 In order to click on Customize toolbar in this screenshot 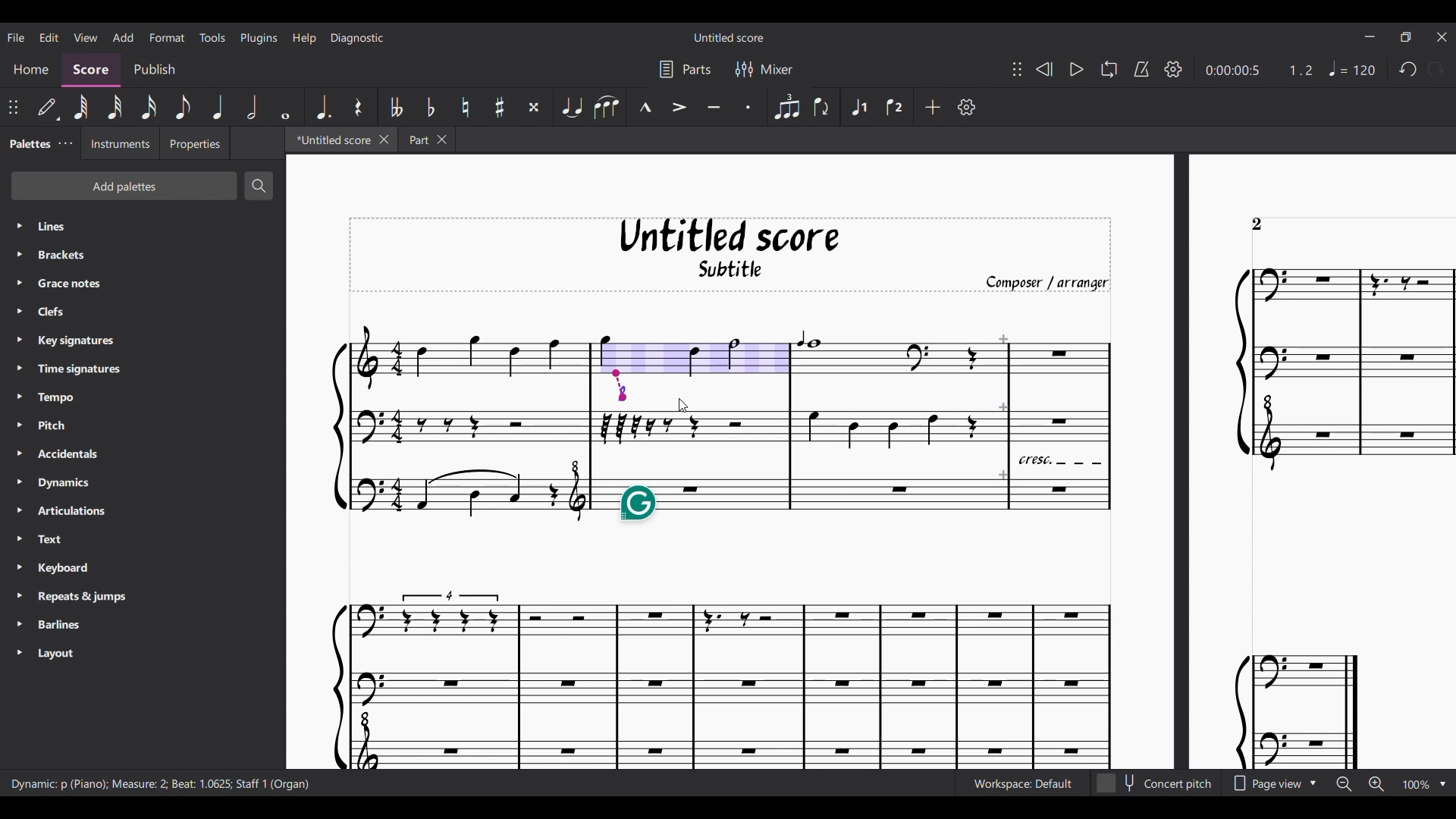, I will do `click(967, 107)`.